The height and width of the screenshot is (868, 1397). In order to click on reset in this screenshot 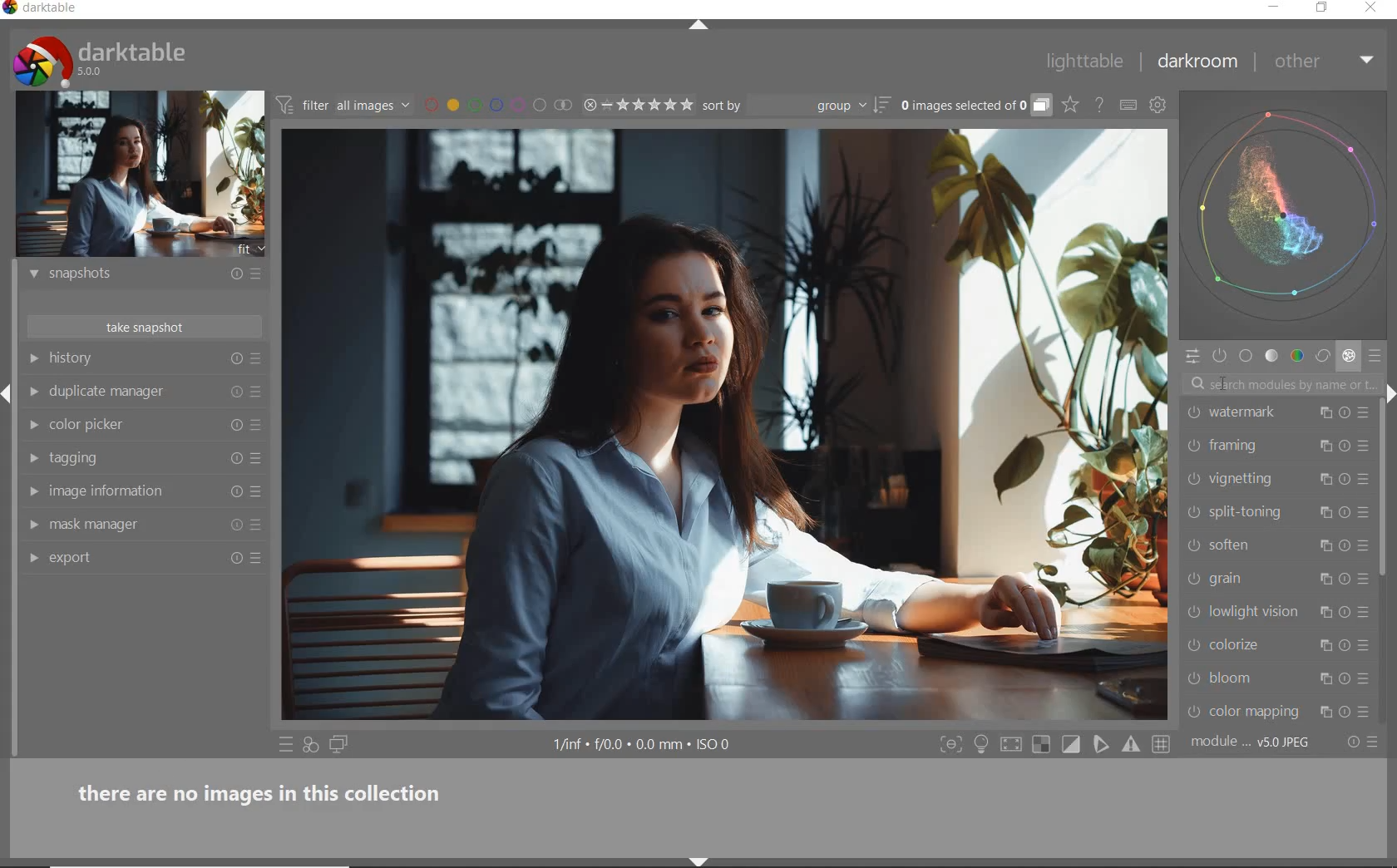, I will do `click(1346, 481)`.